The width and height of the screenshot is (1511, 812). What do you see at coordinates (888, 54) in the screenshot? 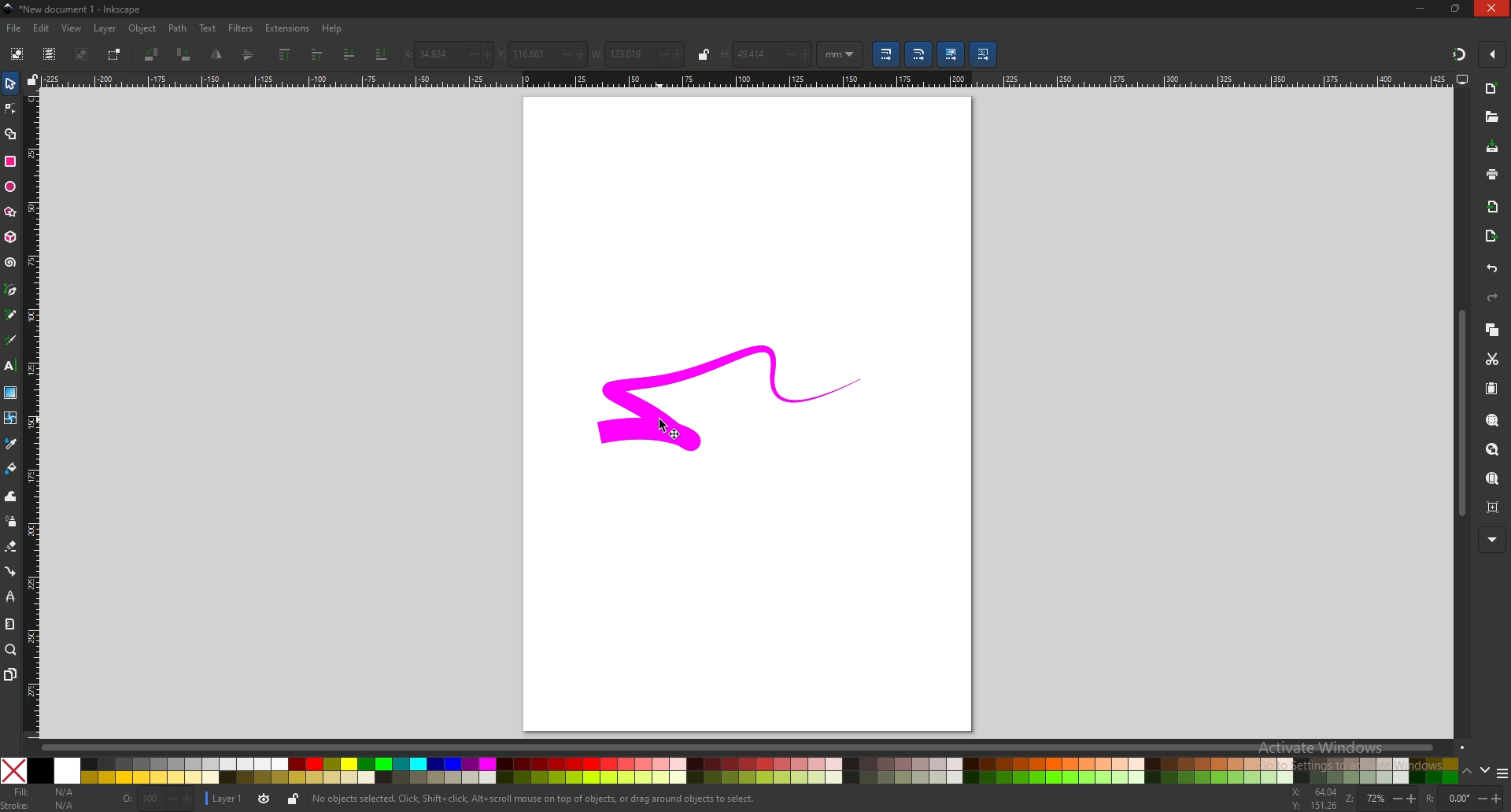
I see `scale stroke width` at bounding box center [888, 54].